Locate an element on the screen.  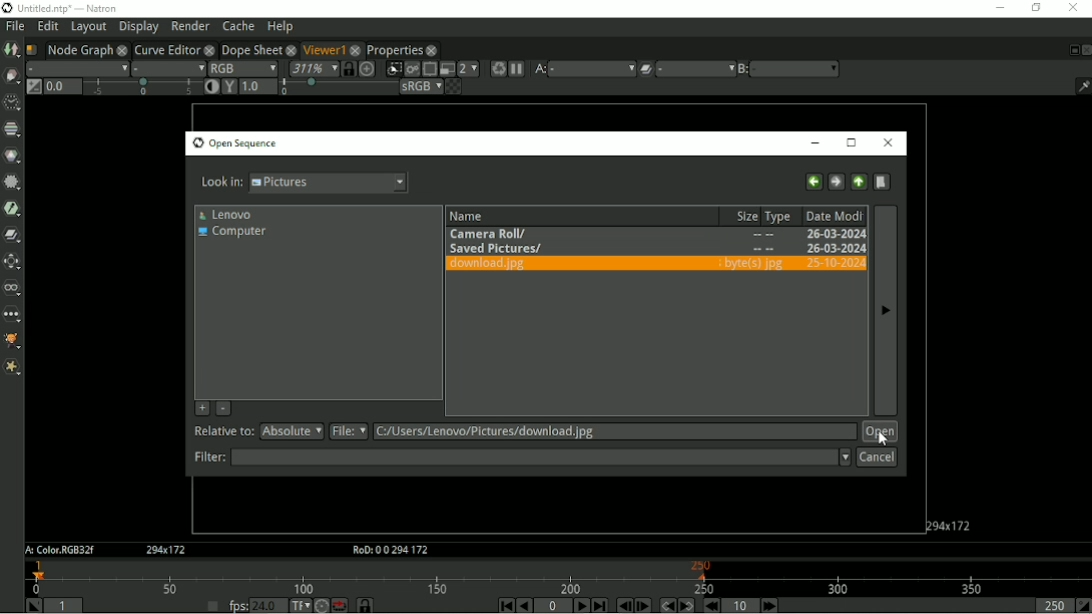
Next frame is located at coordinates (644, 605).